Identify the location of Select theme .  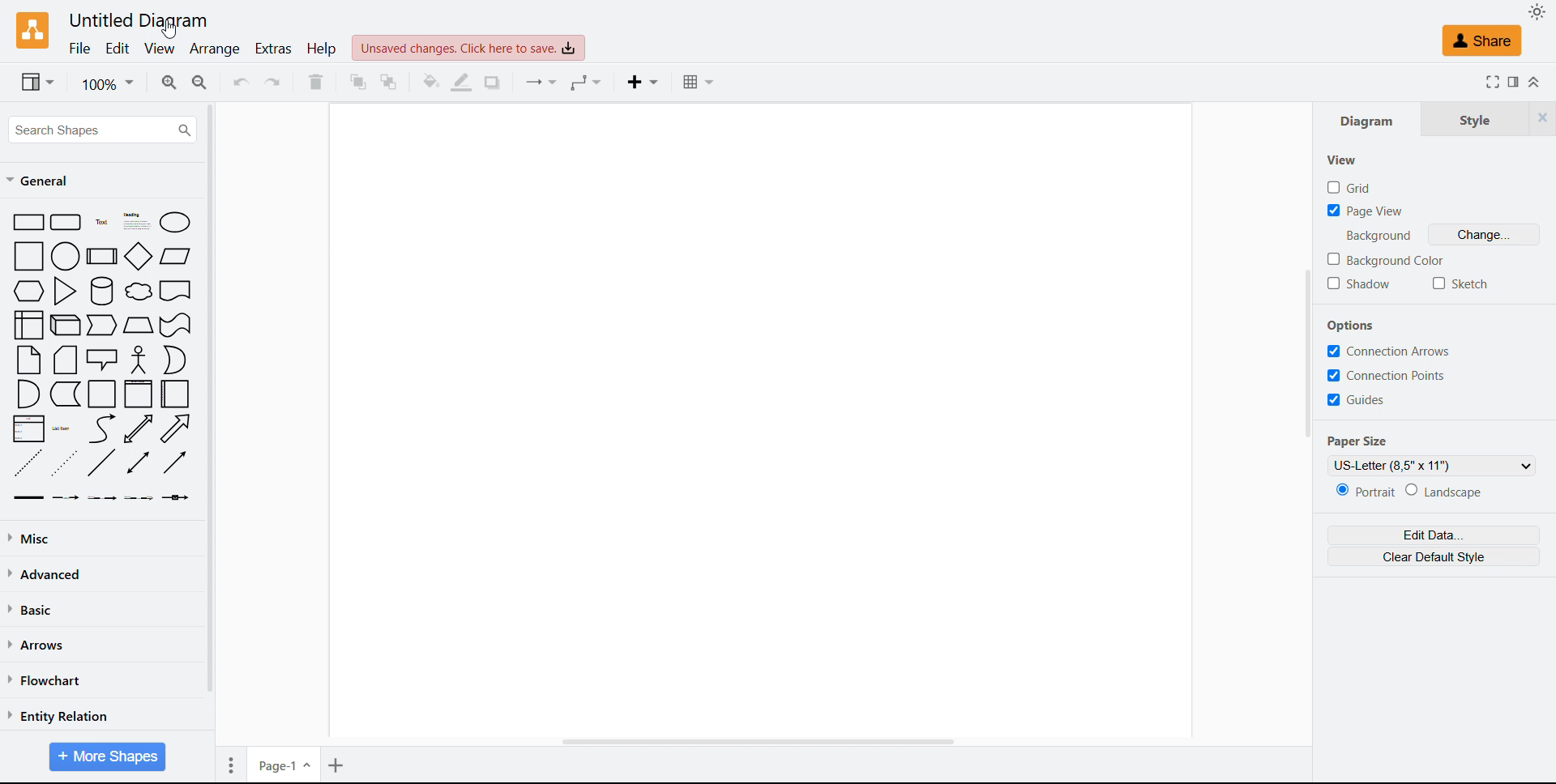
(1537, 12).